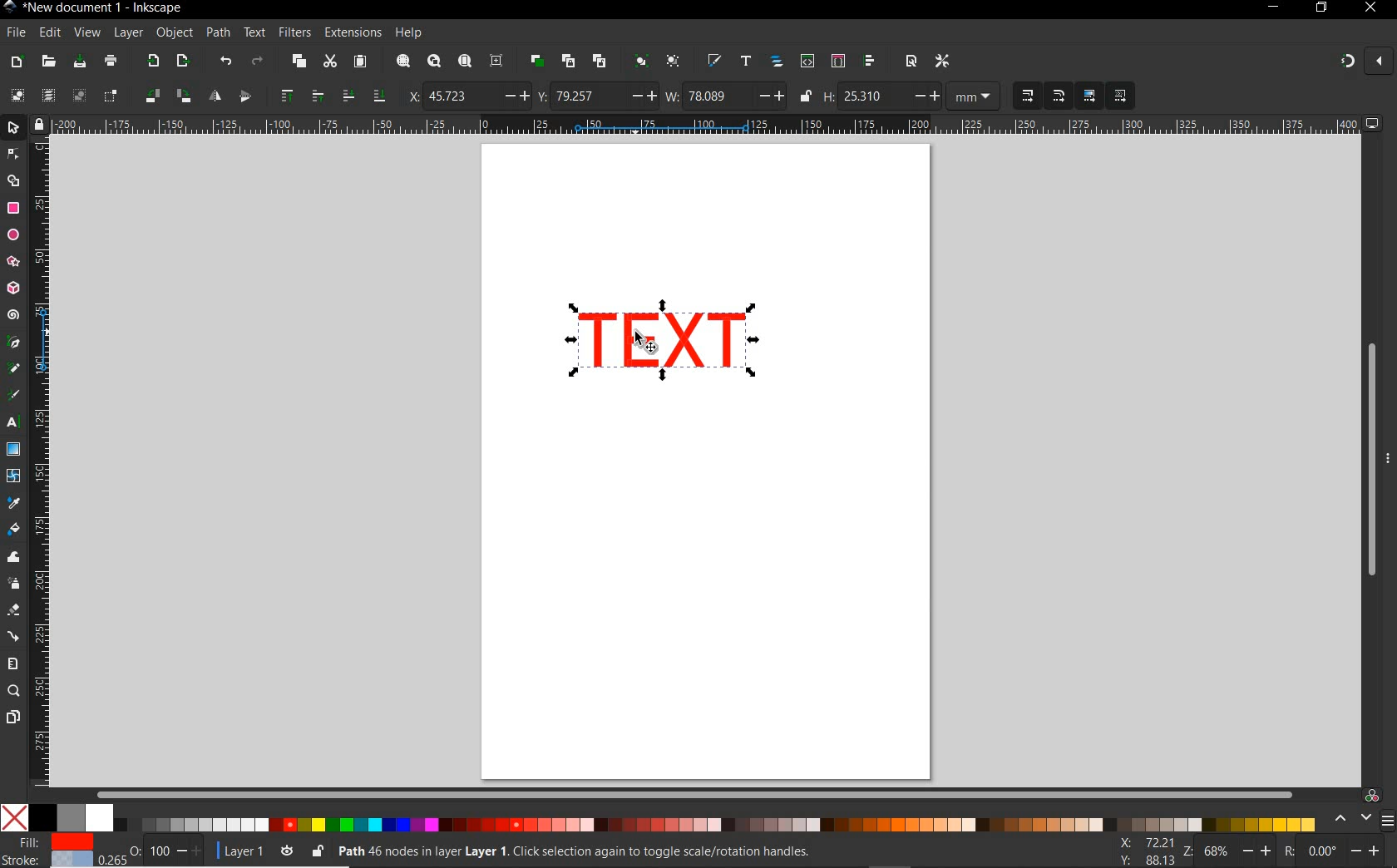 This screenshot has width=1397, height=868. What do you see at coordinates (713, 62) in the screenshot?
I see `OPEN FILL AND STROKE` at bounding box center [713, 62].